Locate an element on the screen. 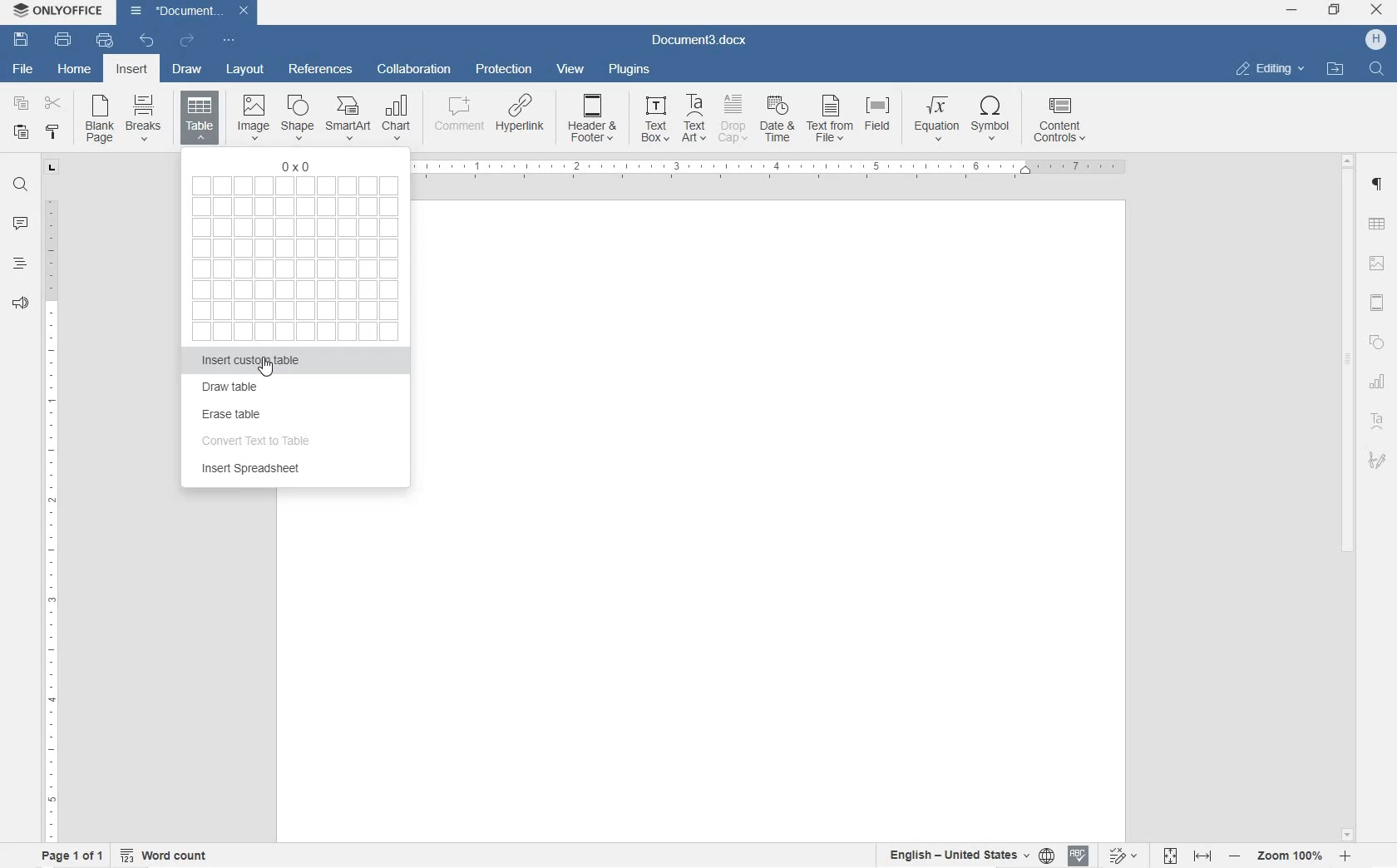 The height and width of the screenshot is (868, 1397). Image is located at coordinates (254, 116).